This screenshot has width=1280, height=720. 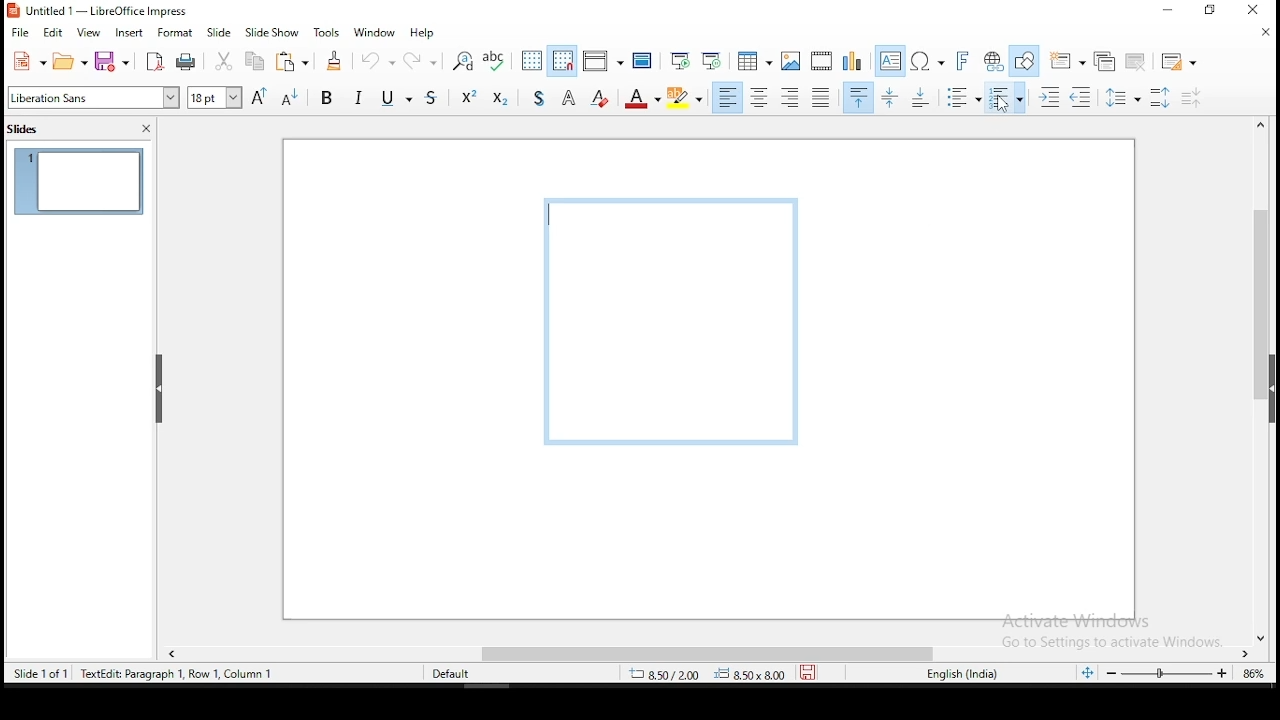 I want to click on scroll bar, so click(x=714, y=653).